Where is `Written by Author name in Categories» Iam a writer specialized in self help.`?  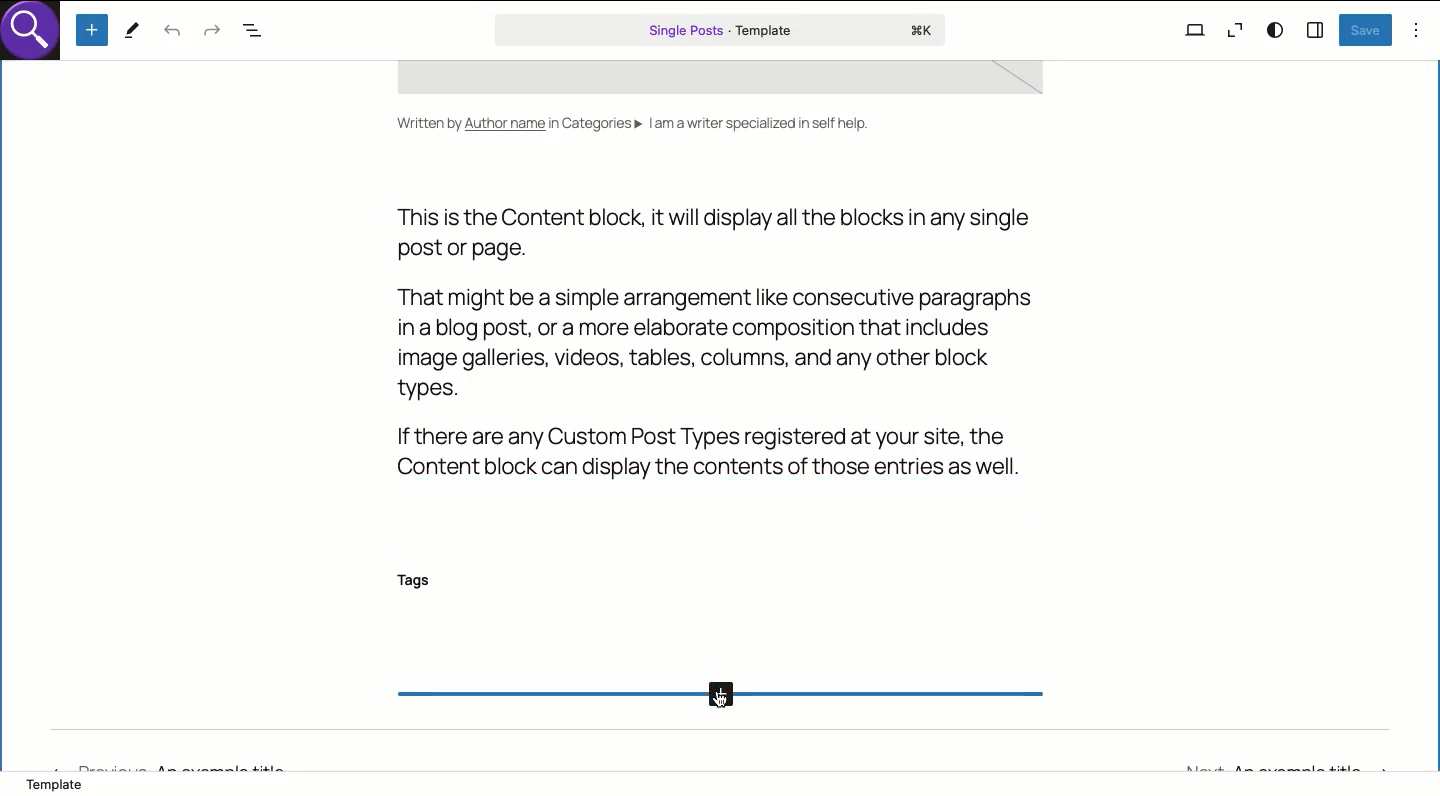
Written by Author name in Categories» Iam a writer specialized in self help. is located at coordinates (631, 129).